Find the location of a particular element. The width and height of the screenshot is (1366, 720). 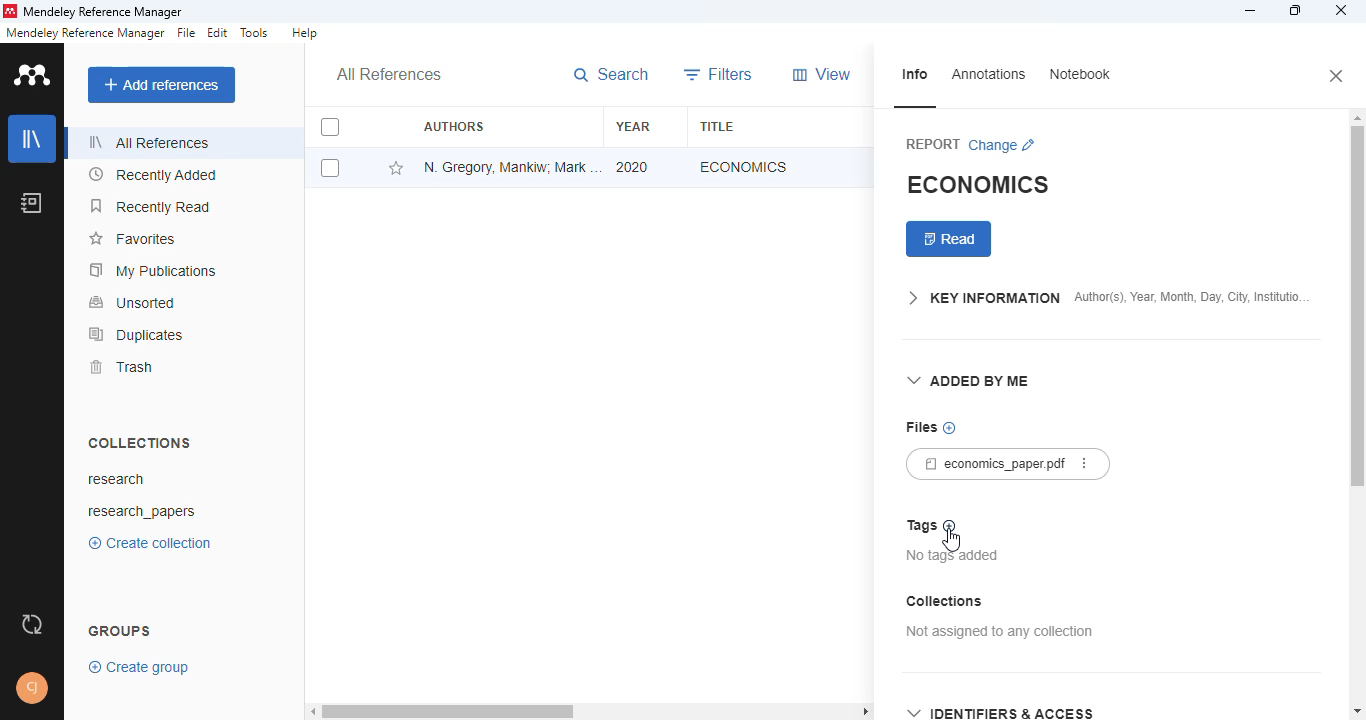

all references is located at coordinates (145, 142).